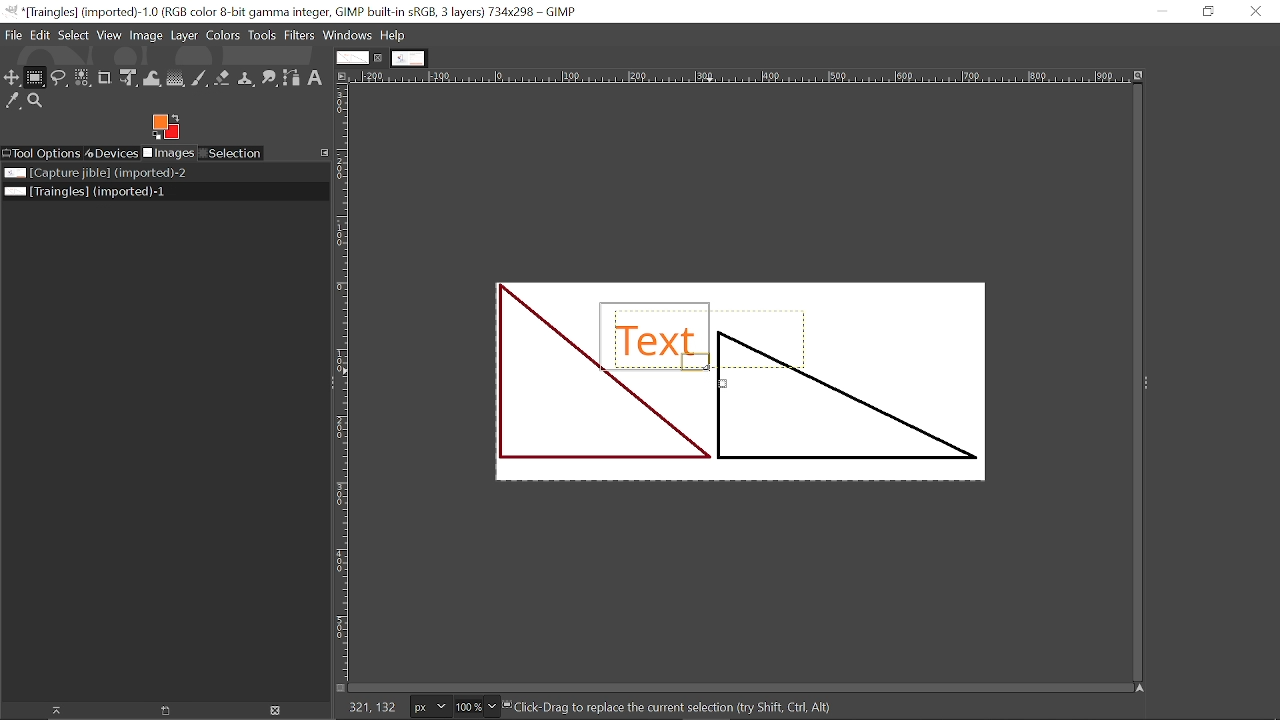 The image size is (1280, 720). I want to click on Smudge tool, so click(270, 80).